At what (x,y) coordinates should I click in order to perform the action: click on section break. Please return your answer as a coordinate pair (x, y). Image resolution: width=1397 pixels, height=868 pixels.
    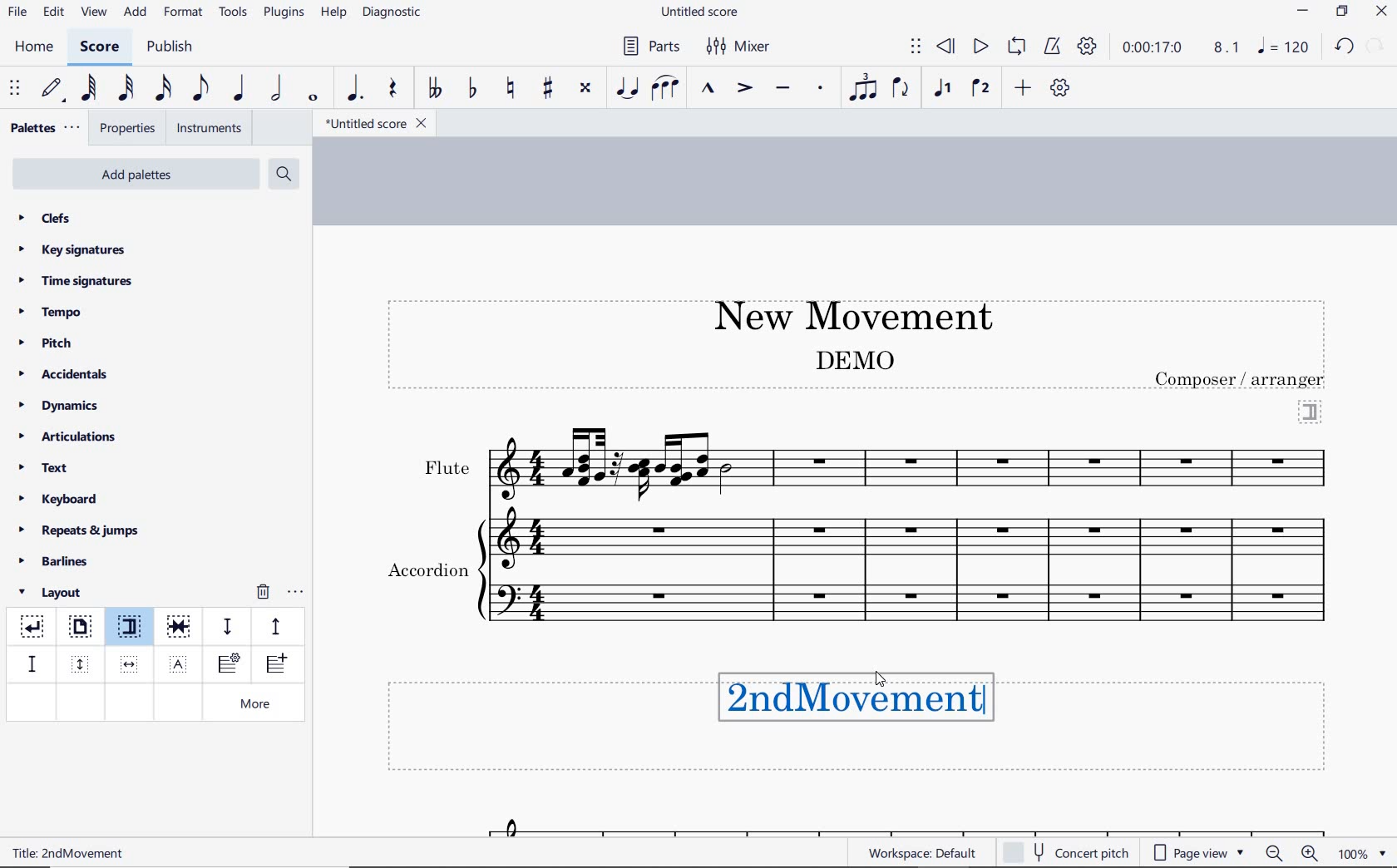
    Looking at the image, I should click on (133, 629).